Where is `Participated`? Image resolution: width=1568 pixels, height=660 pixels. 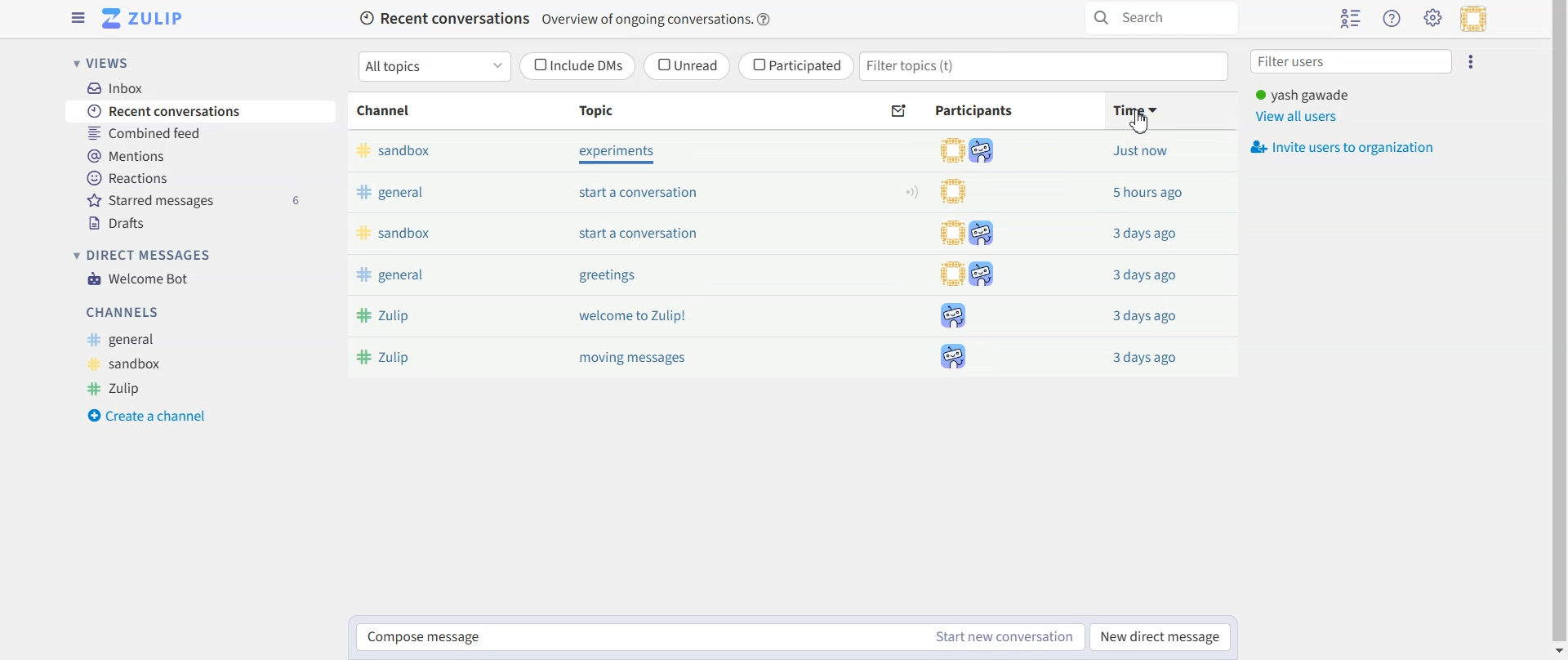 Participated is located at coordinates (797, 66).